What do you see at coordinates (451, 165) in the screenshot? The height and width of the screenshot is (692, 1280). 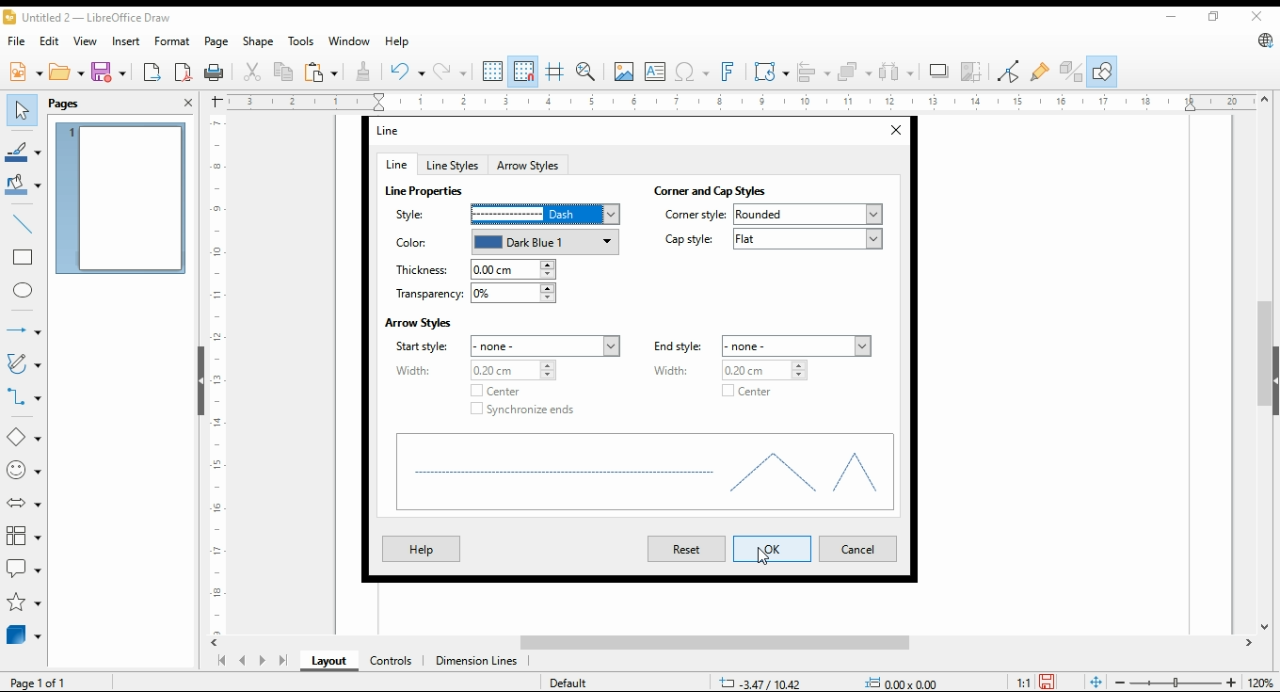 I see `line styles` at bounding box center [451, 165].